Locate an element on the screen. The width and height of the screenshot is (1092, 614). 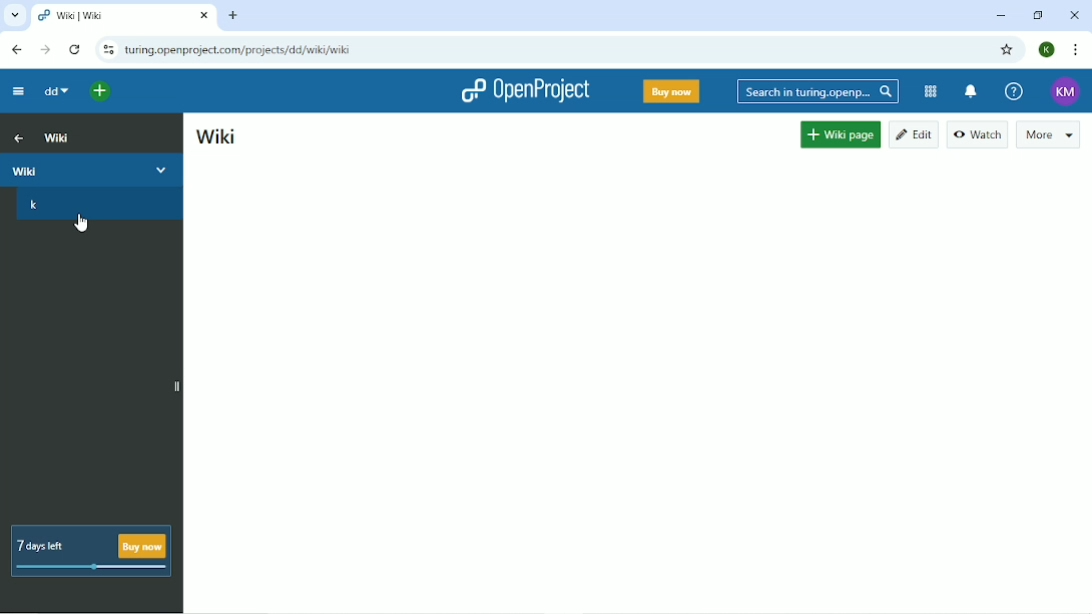
New tab is located at coordinates (235, 15).